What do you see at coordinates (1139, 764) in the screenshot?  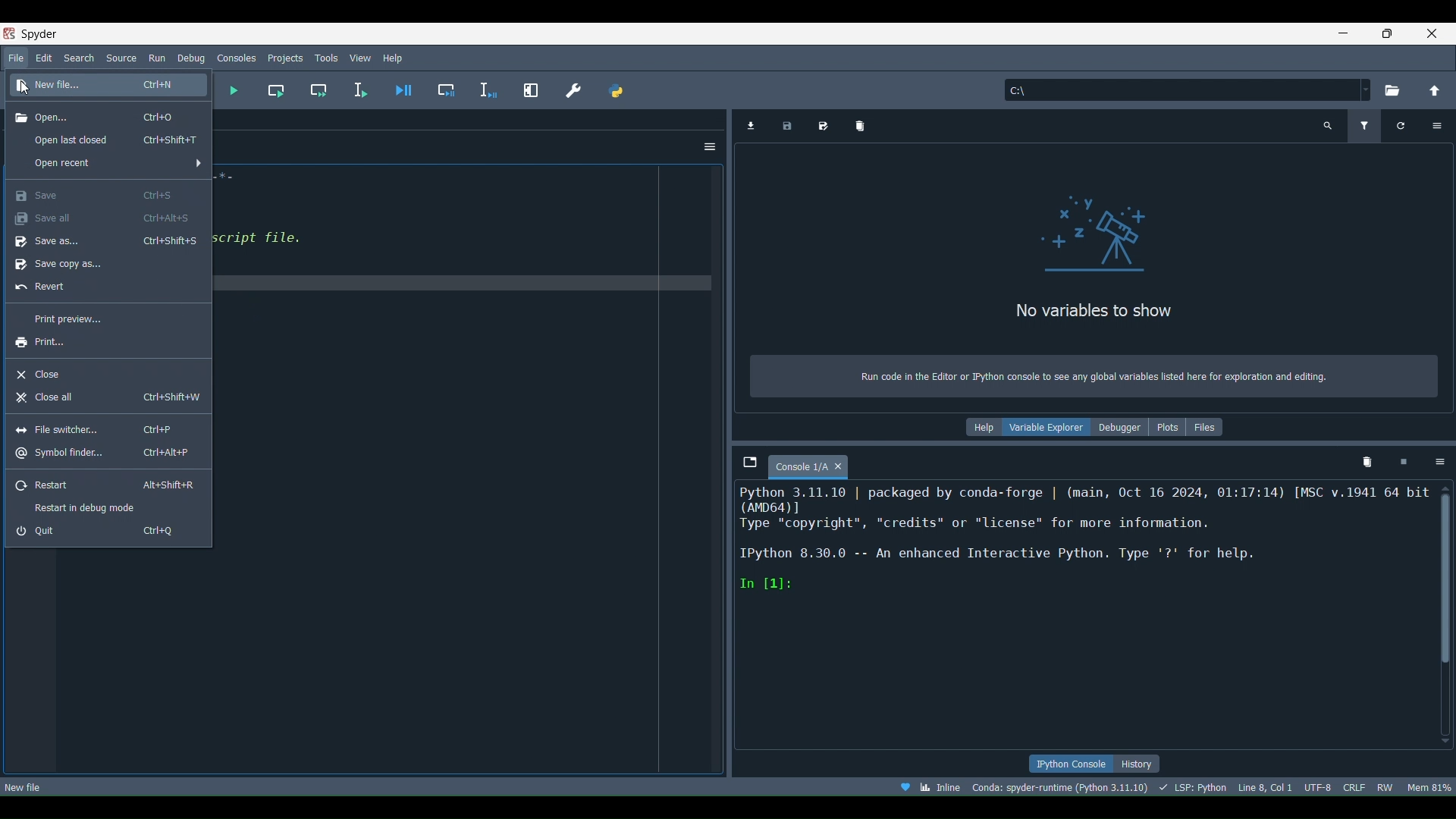 I see `History` at bounding box center [1139, 764].